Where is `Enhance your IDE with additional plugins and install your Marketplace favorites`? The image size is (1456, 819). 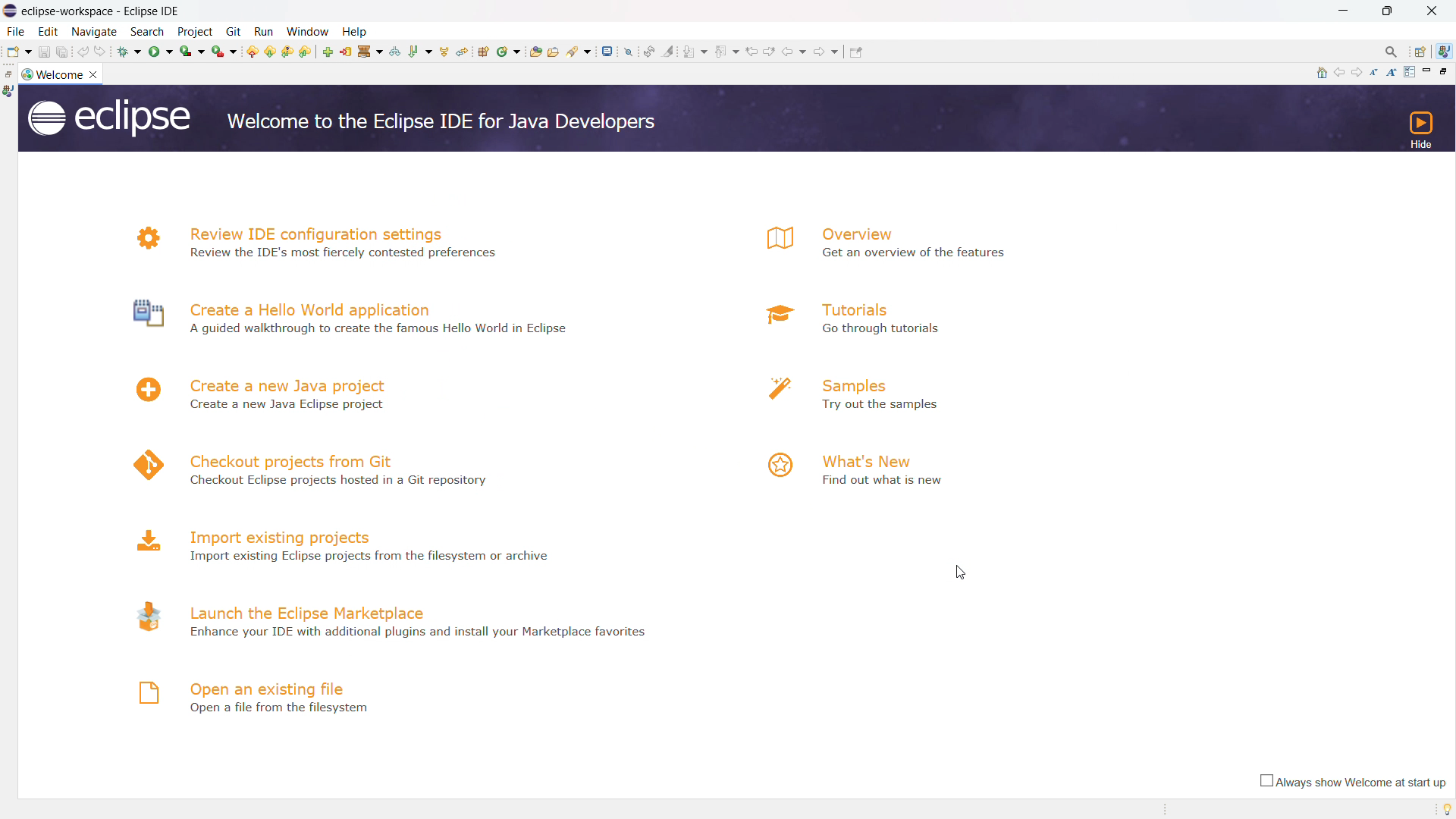
Enhance your IDE with additional plugins and install your Marketplace favorites is located at coordinates (421, 637).